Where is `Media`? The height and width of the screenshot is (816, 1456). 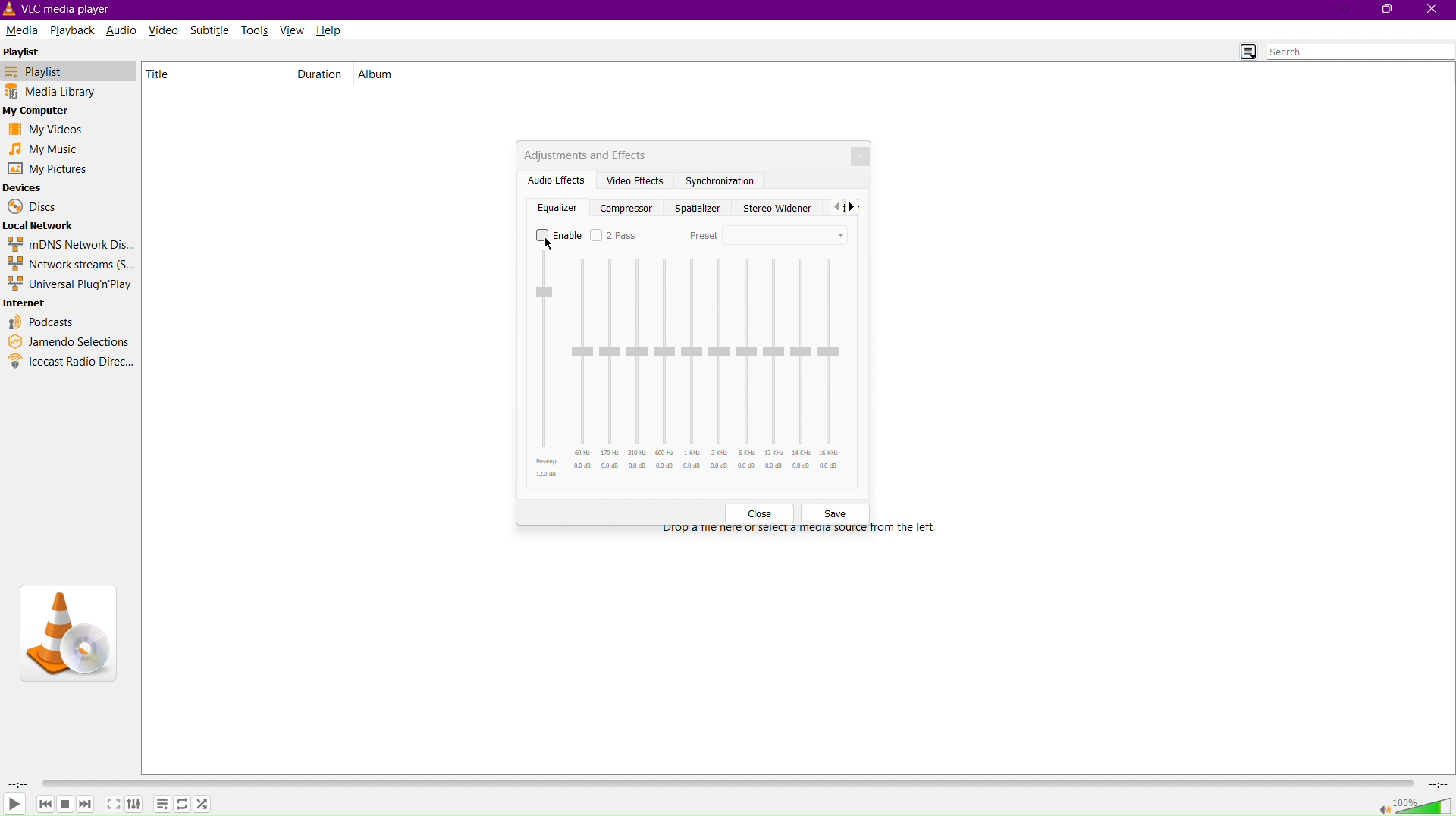 Media is located at coordinates (22, 31).